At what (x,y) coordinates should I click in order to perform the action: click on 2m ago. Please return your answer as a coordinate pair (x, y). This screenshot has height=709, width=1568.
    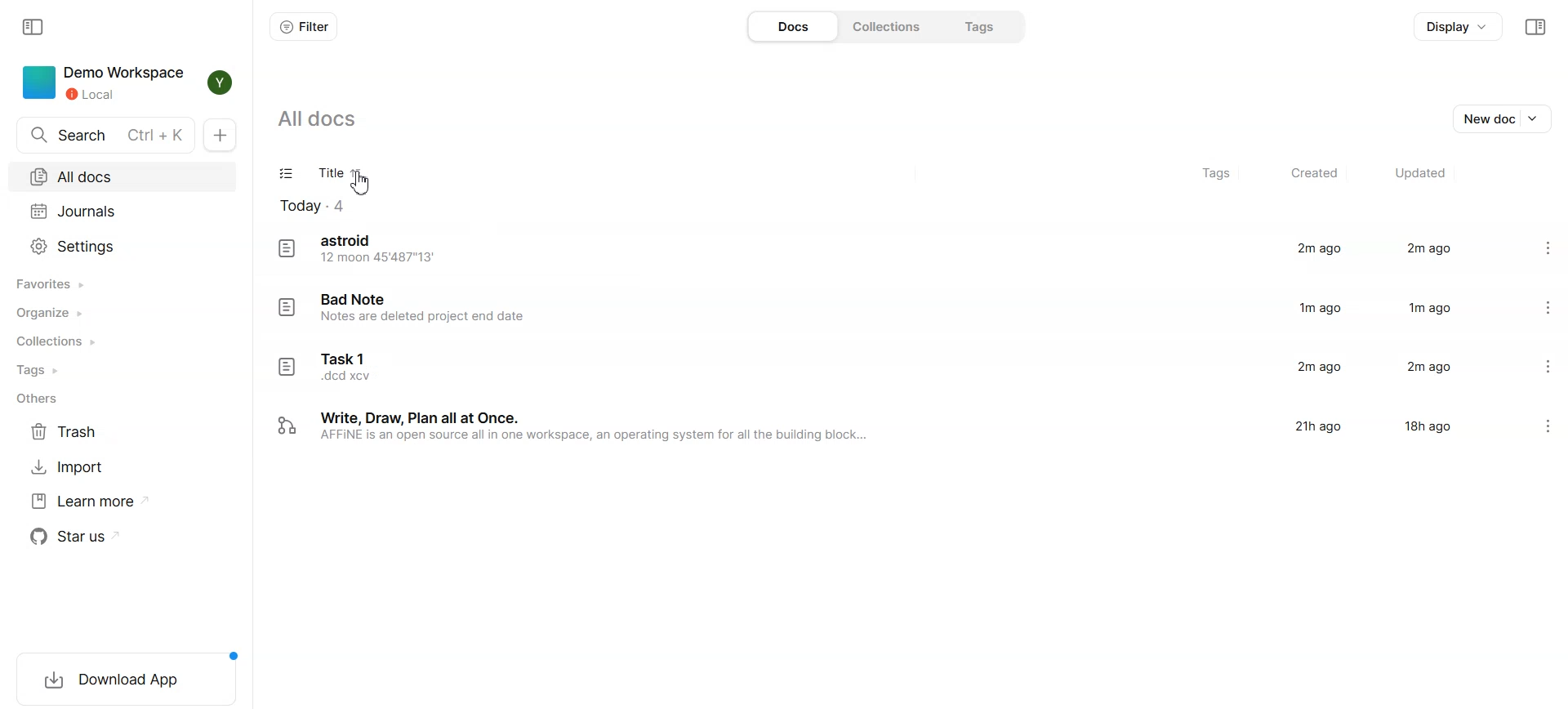
    Looking at the image, I should click on (1315, 369).